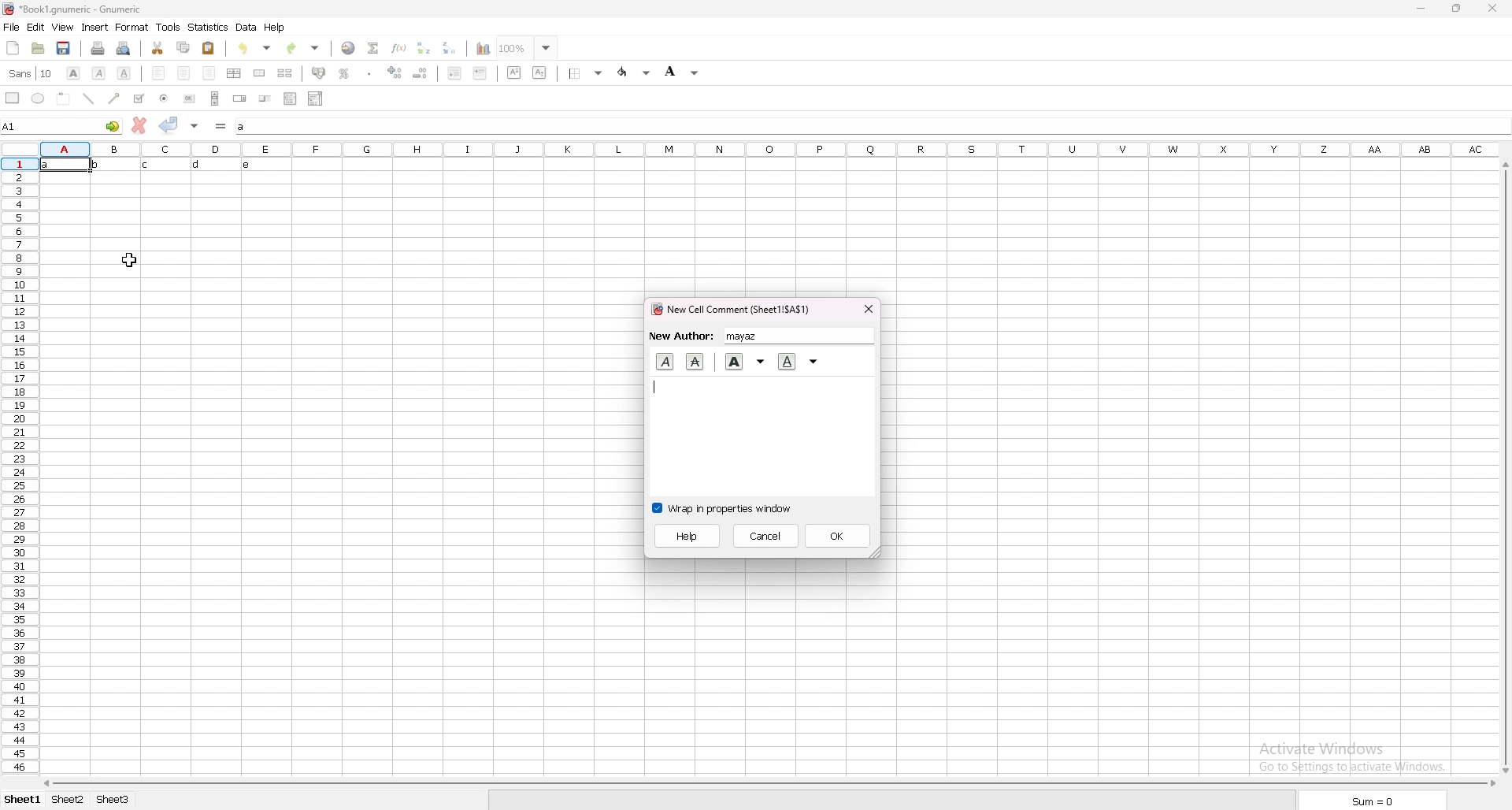 The image size is (1512, 810). I want to click on underline, so click(124, 73).